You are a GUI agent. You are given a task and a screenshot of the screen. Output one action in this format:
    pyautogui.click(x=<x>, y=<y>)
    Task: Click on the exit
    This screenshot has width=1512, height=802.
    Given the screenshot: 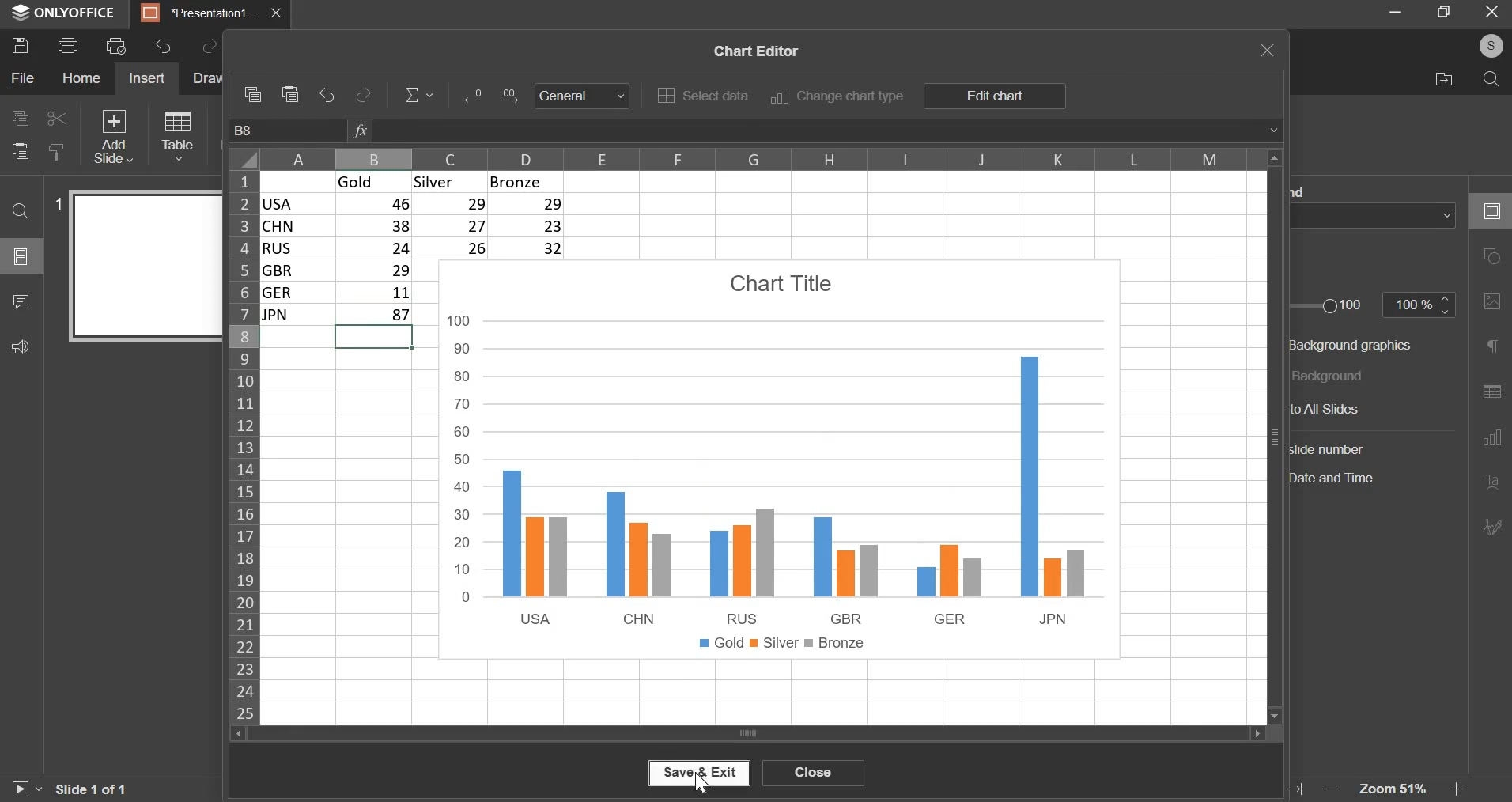 What is the action you would take?
    pyautogui.click(x=1268, y=50)
    